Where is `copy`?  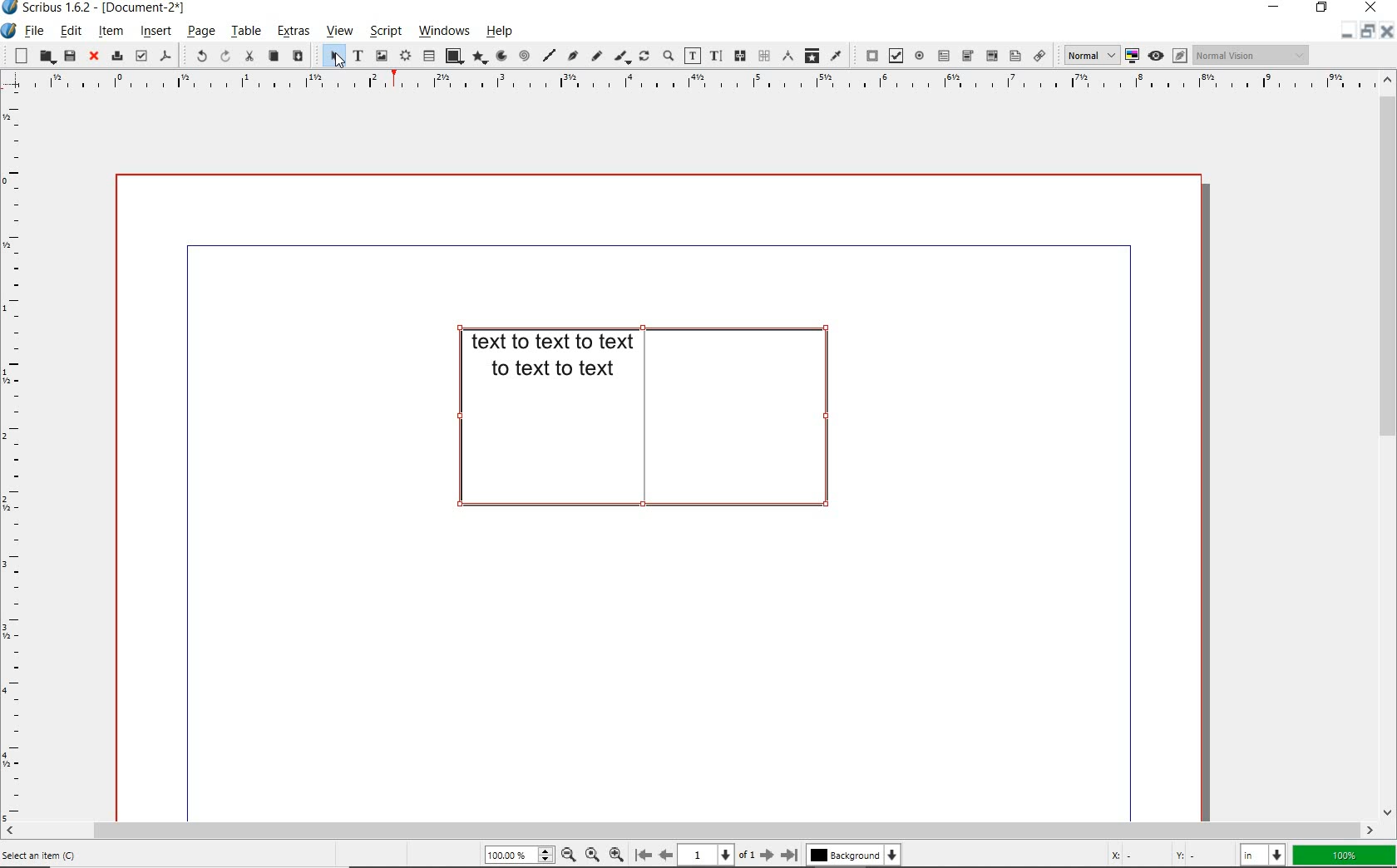
copy is located at coordinates (274, 57).